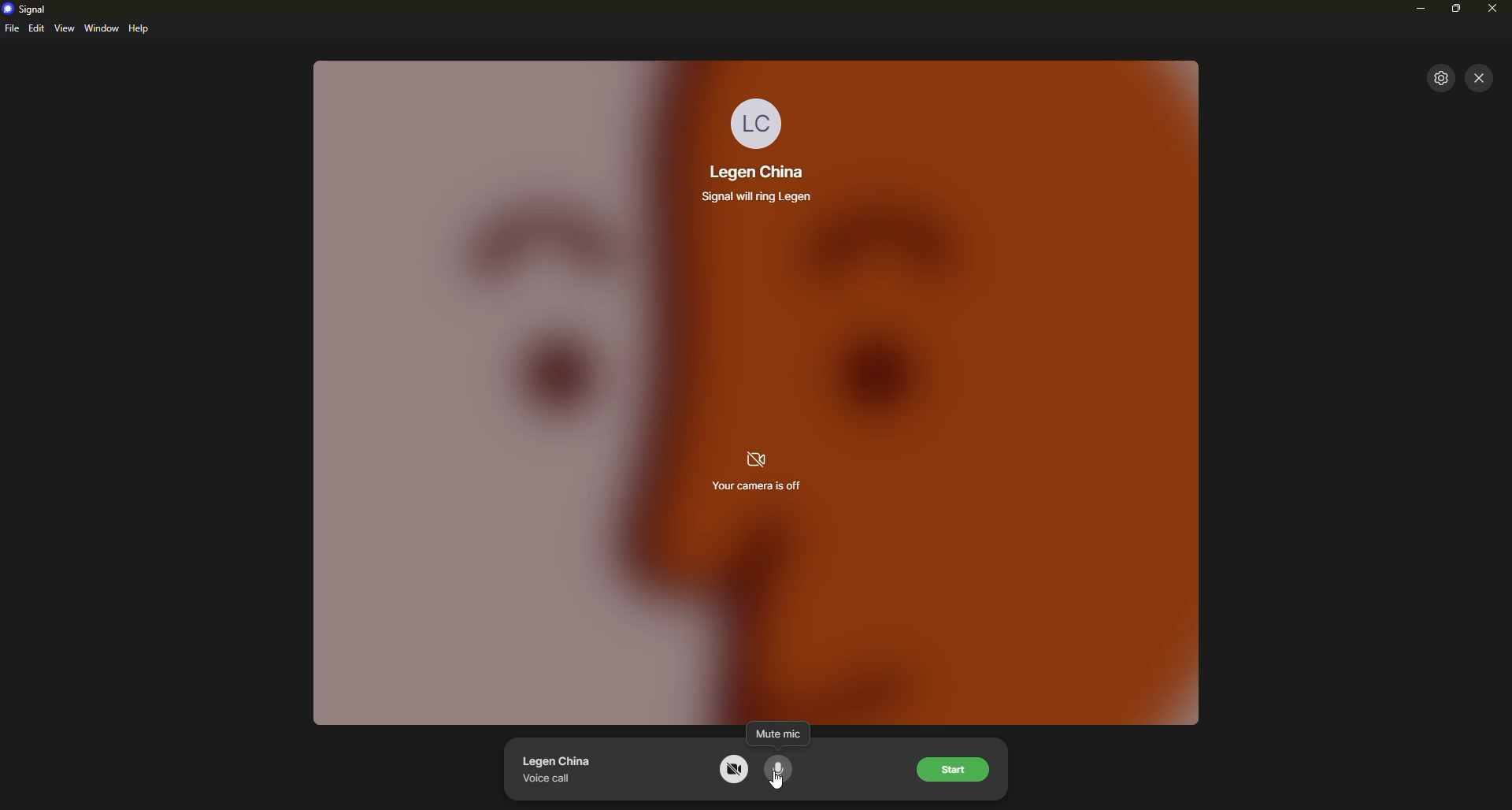 The height and width of the screenshot is (810, 1512). What do you see at coordinates (564, 767) in the screenshot?
I see `contact voice call` at bounding box center [564, 767].